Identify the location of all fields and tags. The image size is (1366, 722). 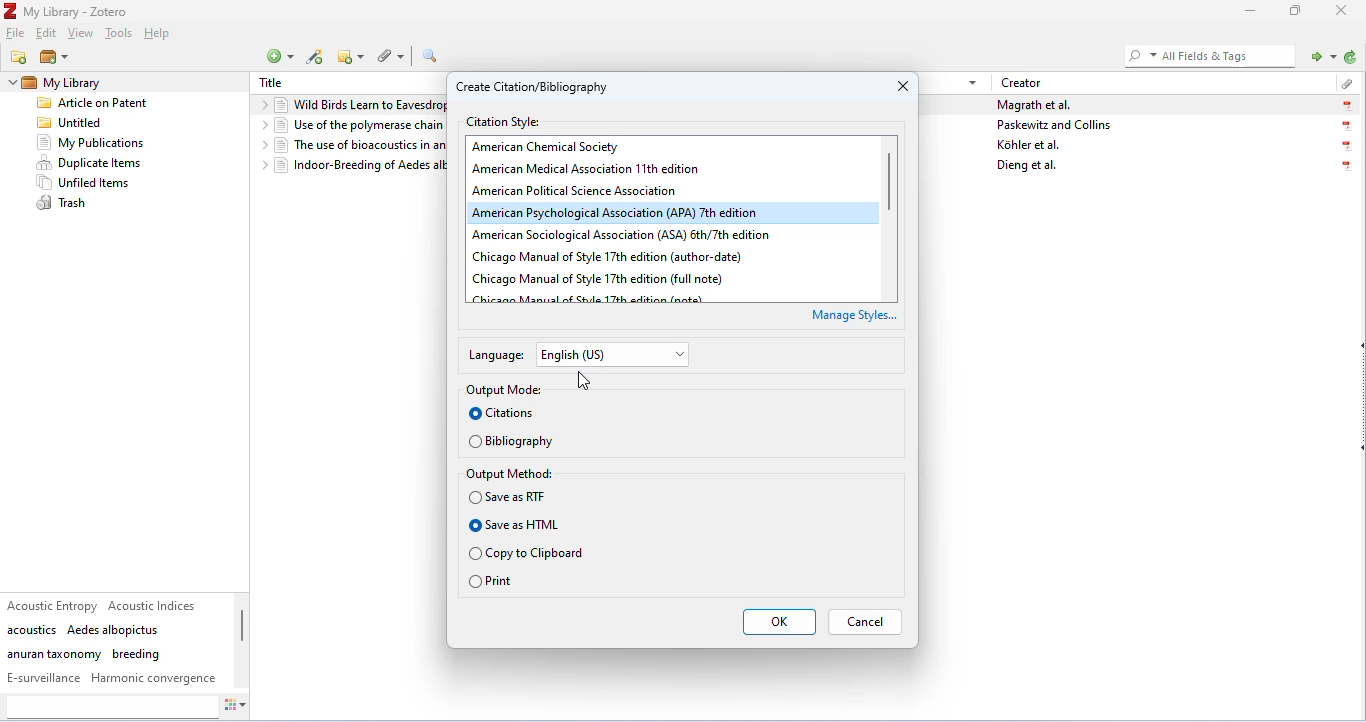
(1207, 55).